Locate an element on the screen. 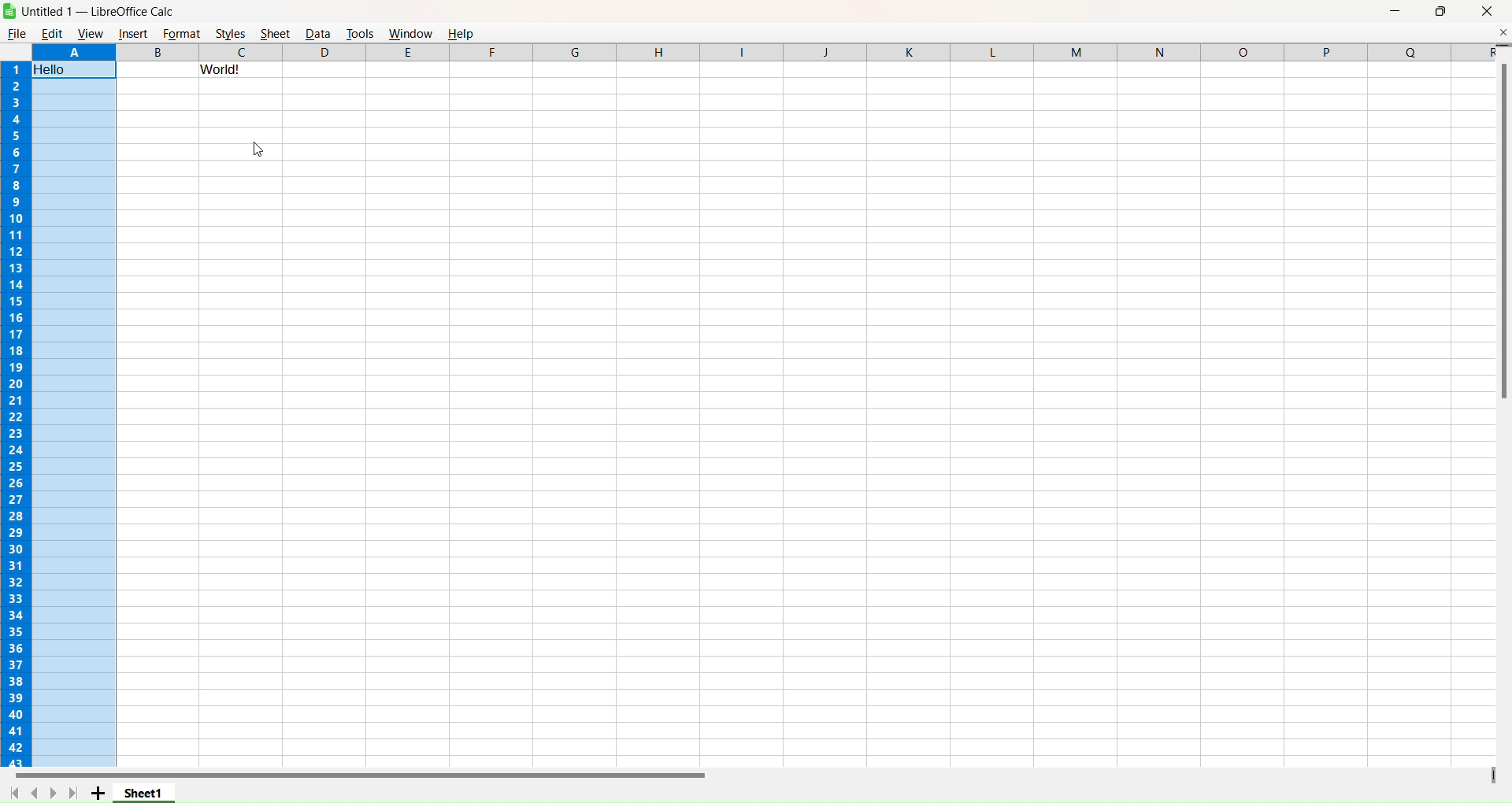 The width and height of the screenshot is (1512, 803). Format is located at coordinates (181, 33).